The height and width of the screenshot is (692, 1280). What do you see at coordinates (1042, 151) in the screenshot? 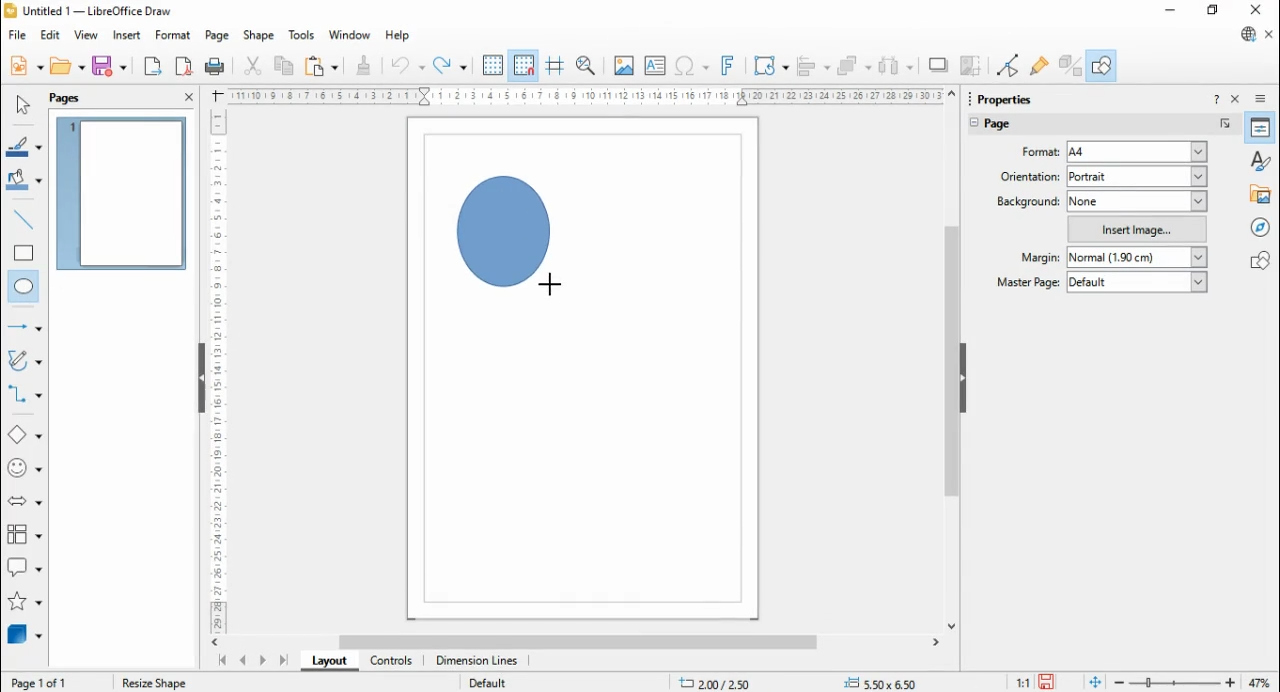
I see `page format` at bounding box center [1042, 151].